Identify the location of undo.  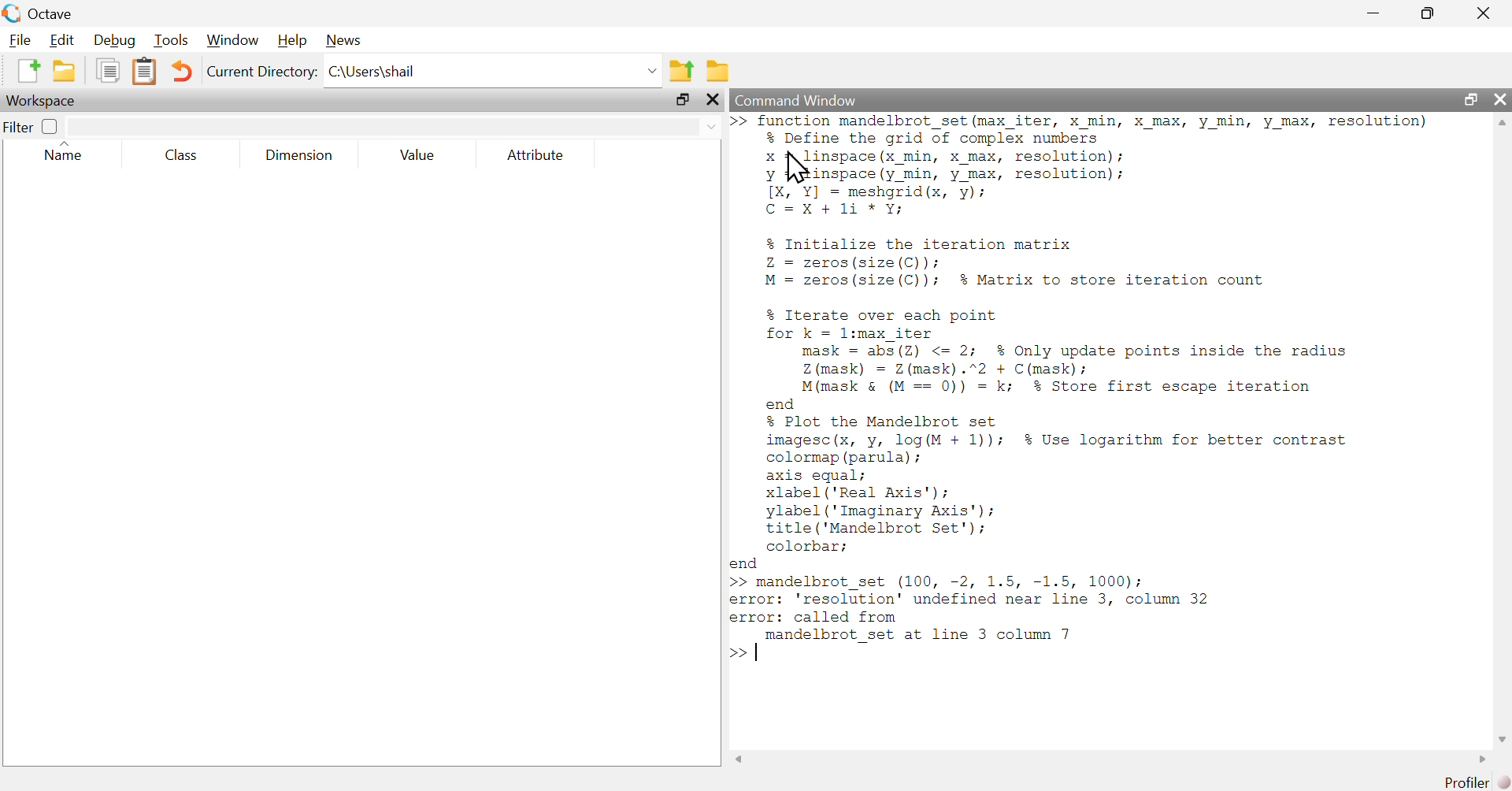
(182, 70).